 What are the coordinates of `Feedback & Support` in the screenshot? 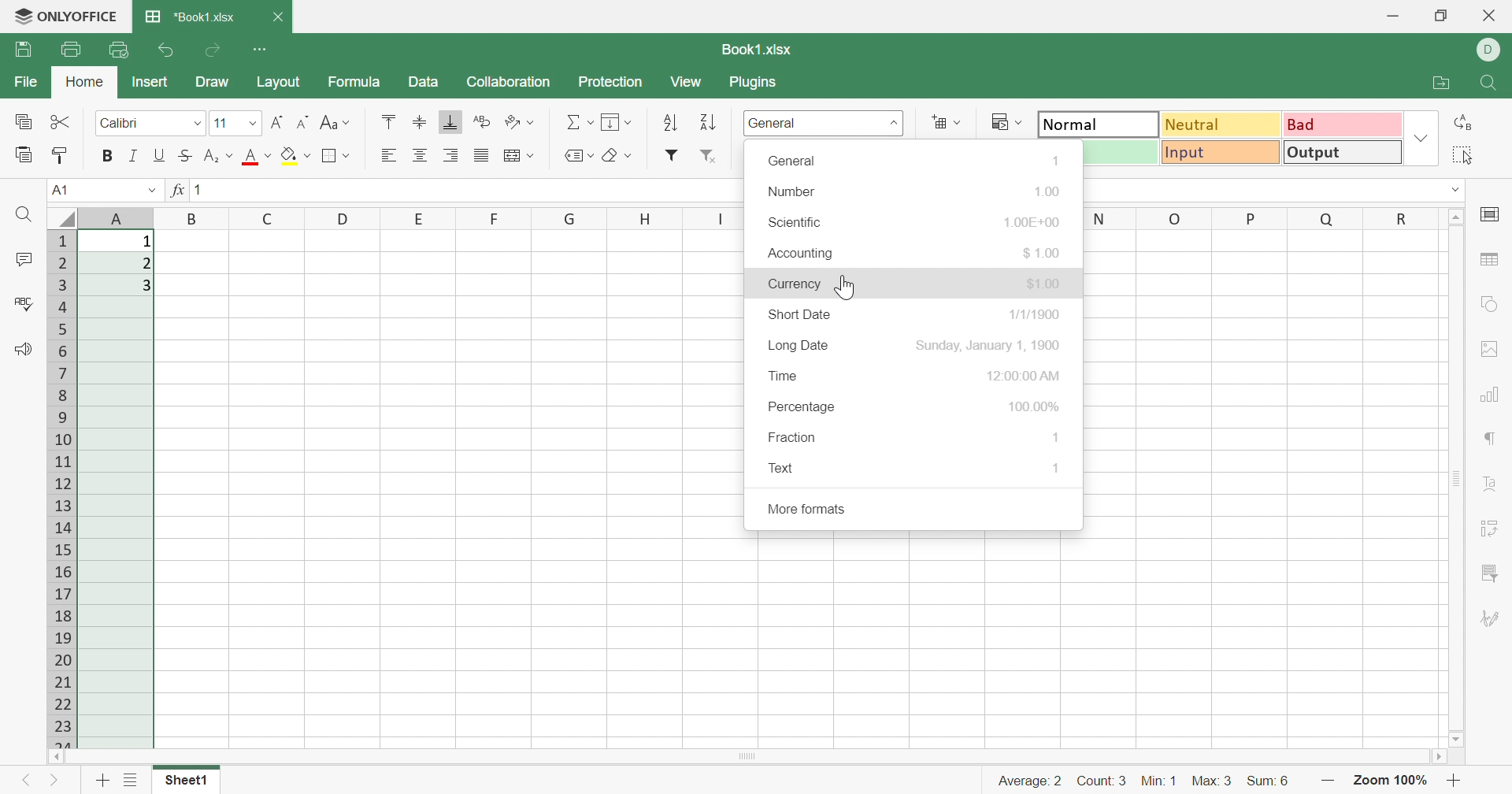 It's located at (23, 349).